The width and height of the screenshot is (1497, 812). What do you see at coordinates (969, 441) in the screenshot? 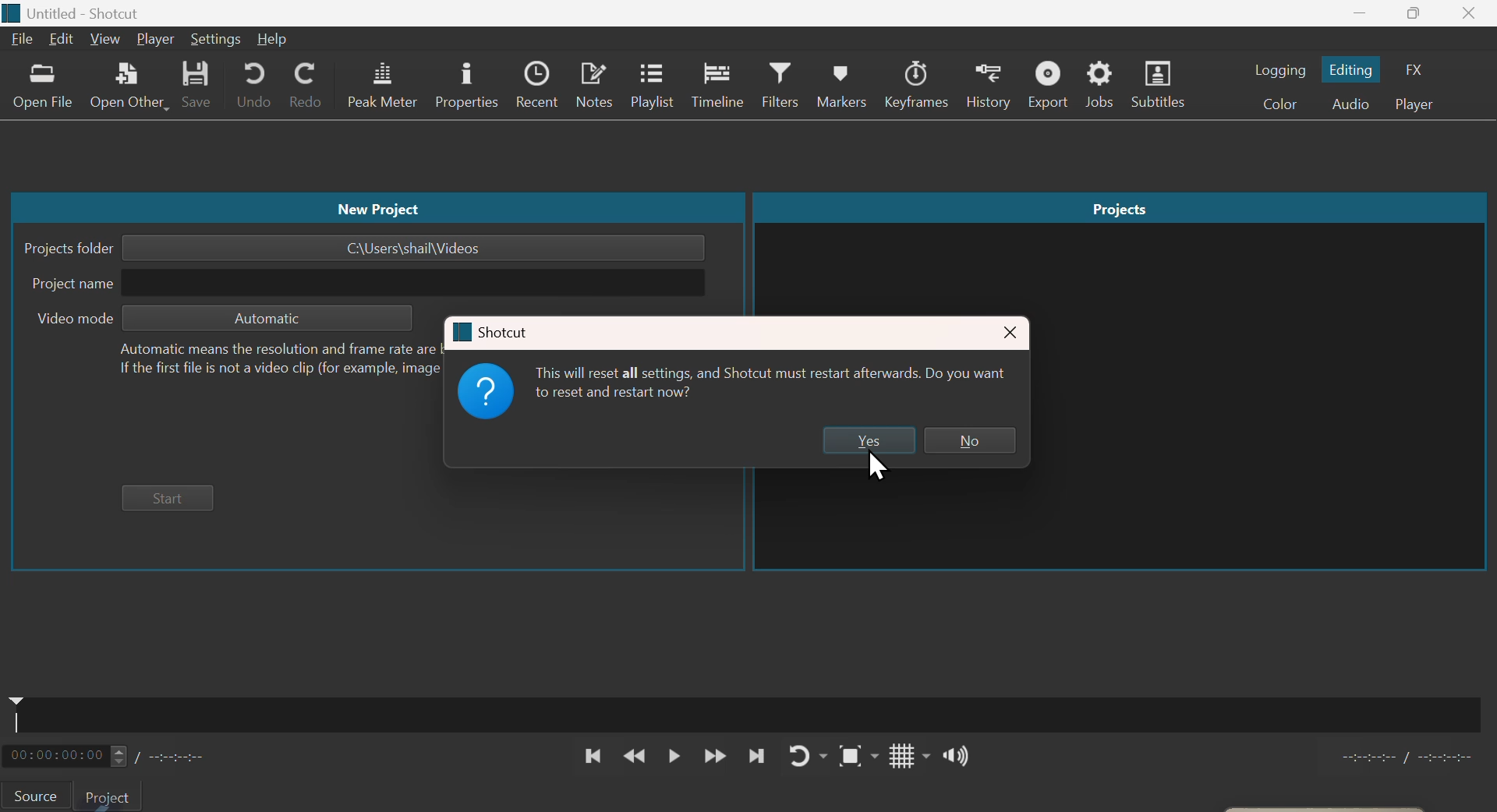
I see `No` at bounding box center [969, 441].